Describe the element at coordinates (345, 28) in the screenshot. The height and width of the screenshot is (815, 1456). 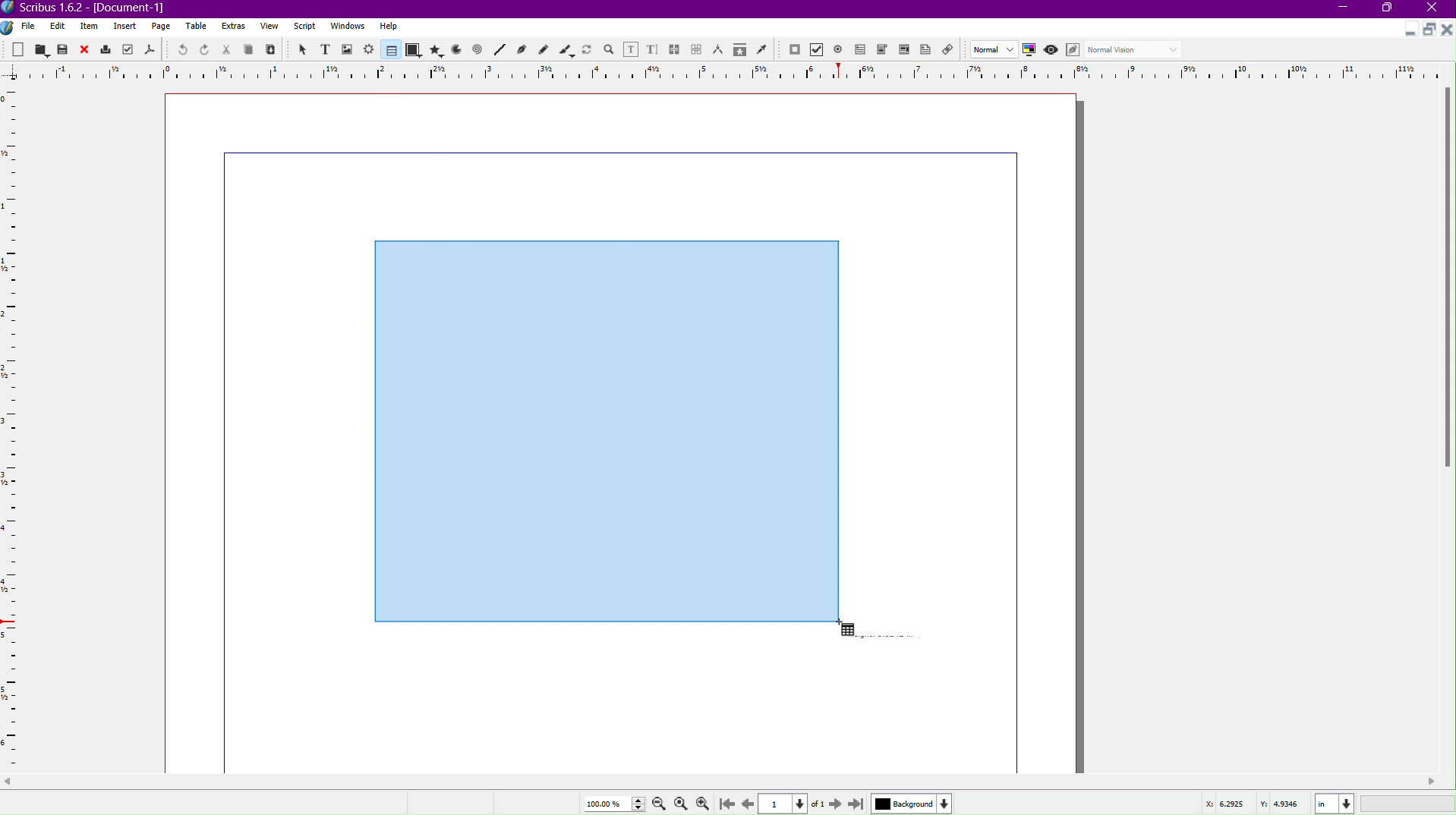
I see `Window` at that location.